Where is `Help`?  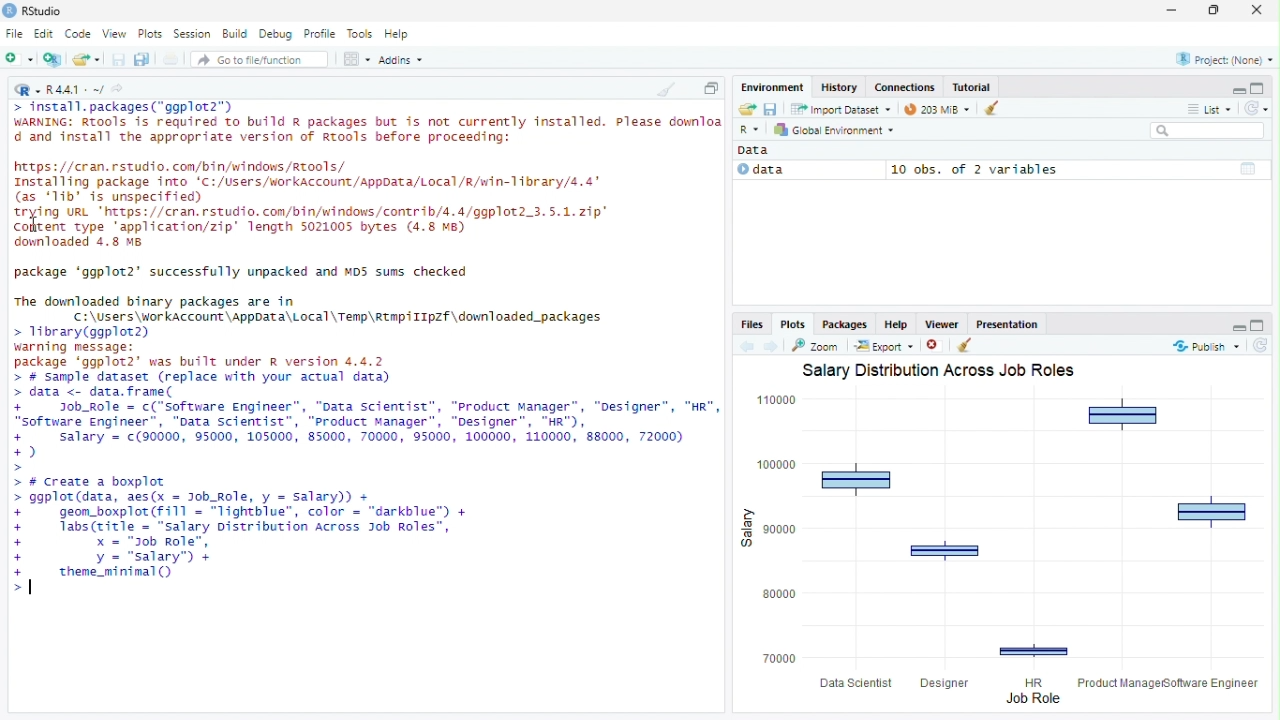
Help is located at coordinates (400, 35).